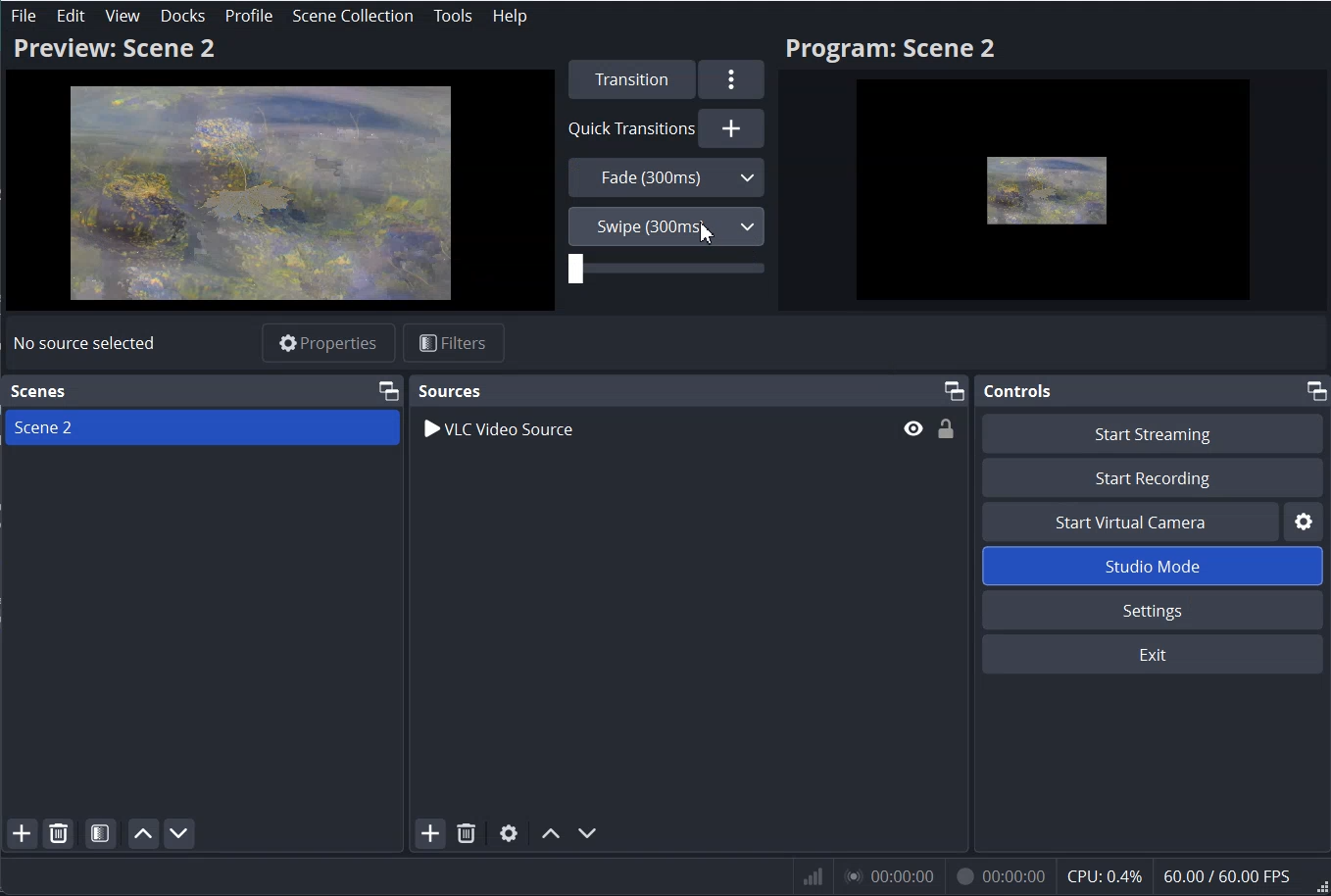 The image size is (1331, 896). Describe the element at coordinates (665, 127) in the screenshot. I see `Quick Transition` at that location.